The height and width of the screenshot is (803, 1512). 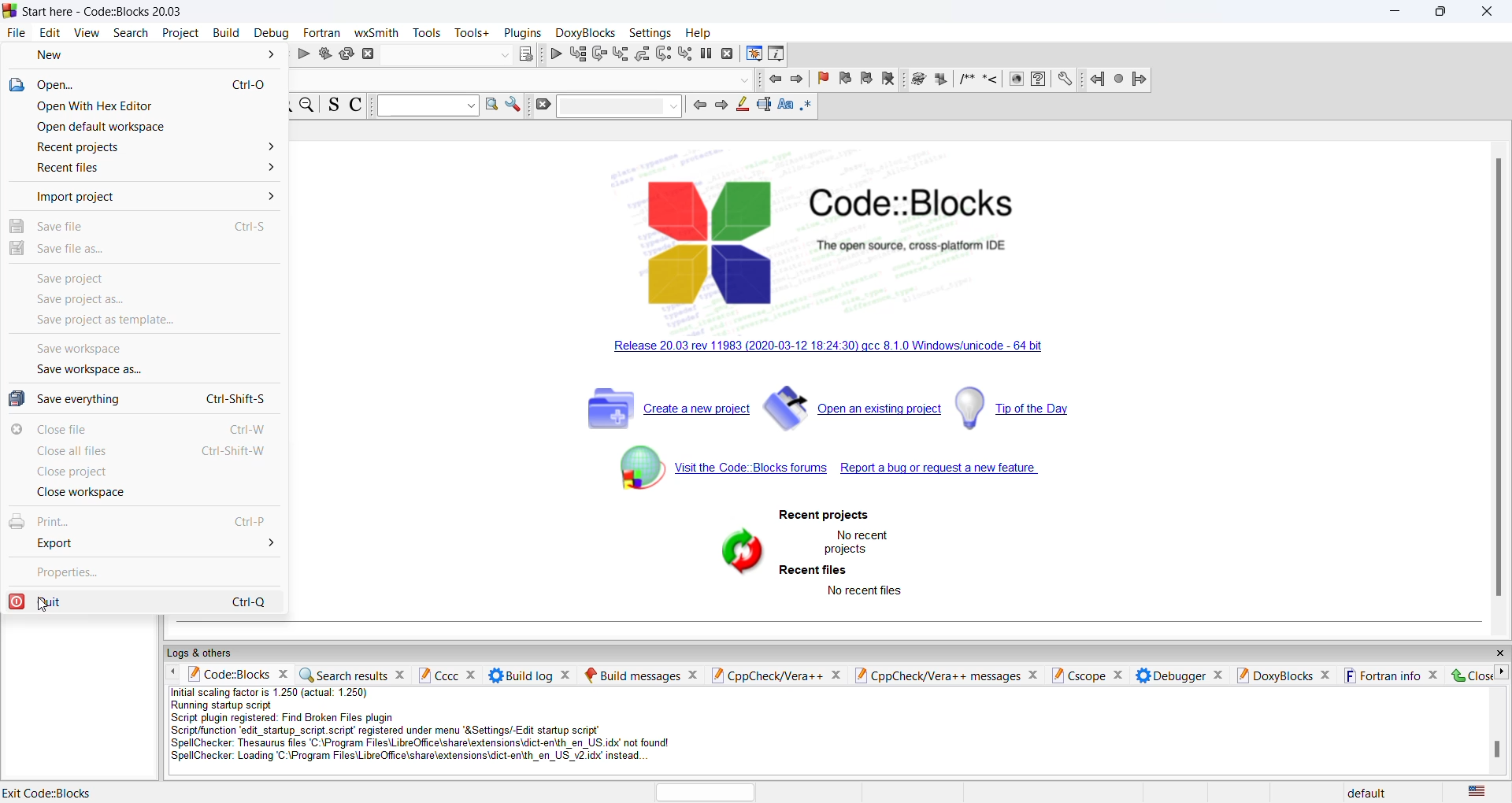 What do you see at coordinates (708, 239) in the screenshot?
I see `code block logo` at bounding box center [708, 239].